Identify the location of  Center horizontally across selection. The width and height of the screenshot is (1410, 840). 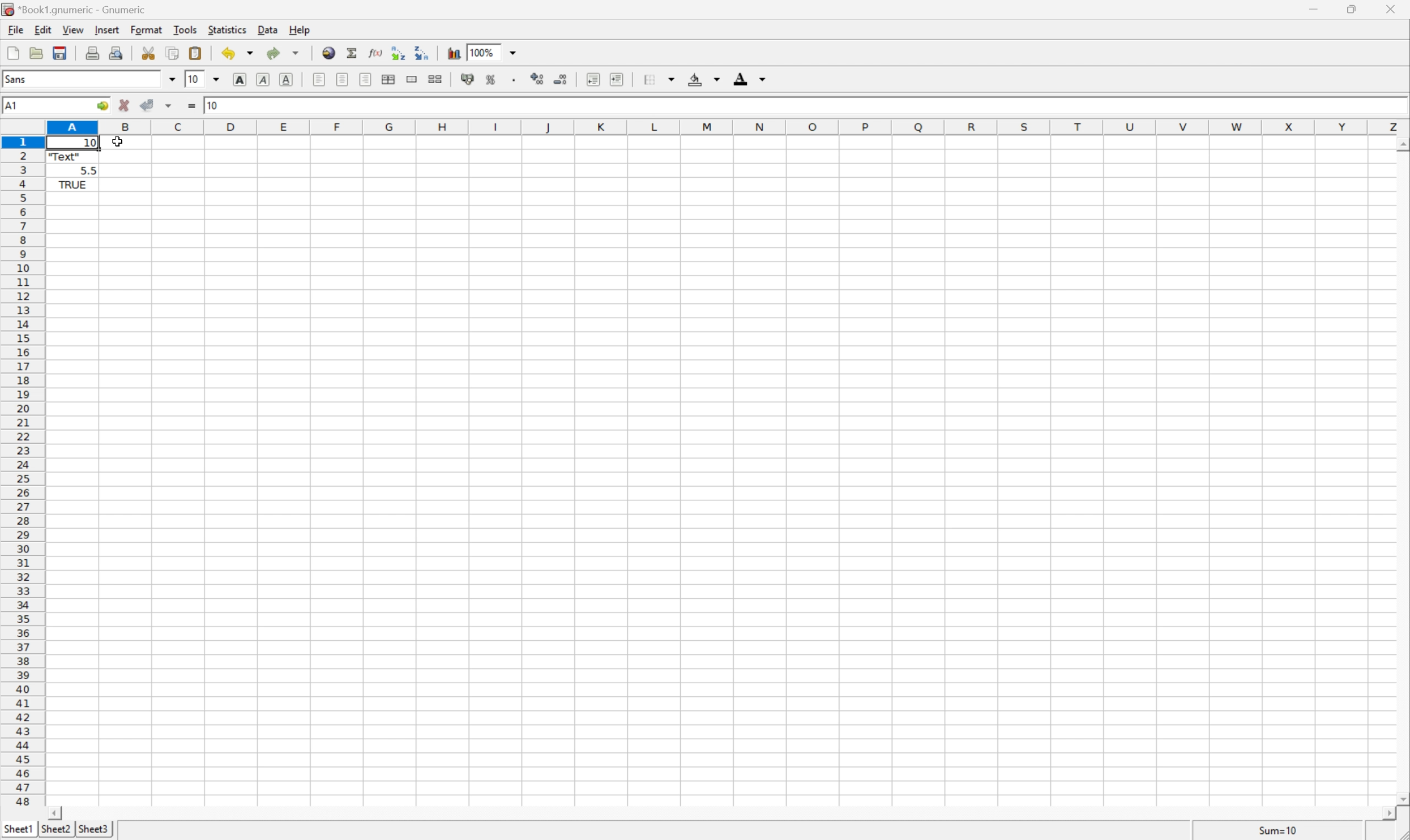
(389, 80).